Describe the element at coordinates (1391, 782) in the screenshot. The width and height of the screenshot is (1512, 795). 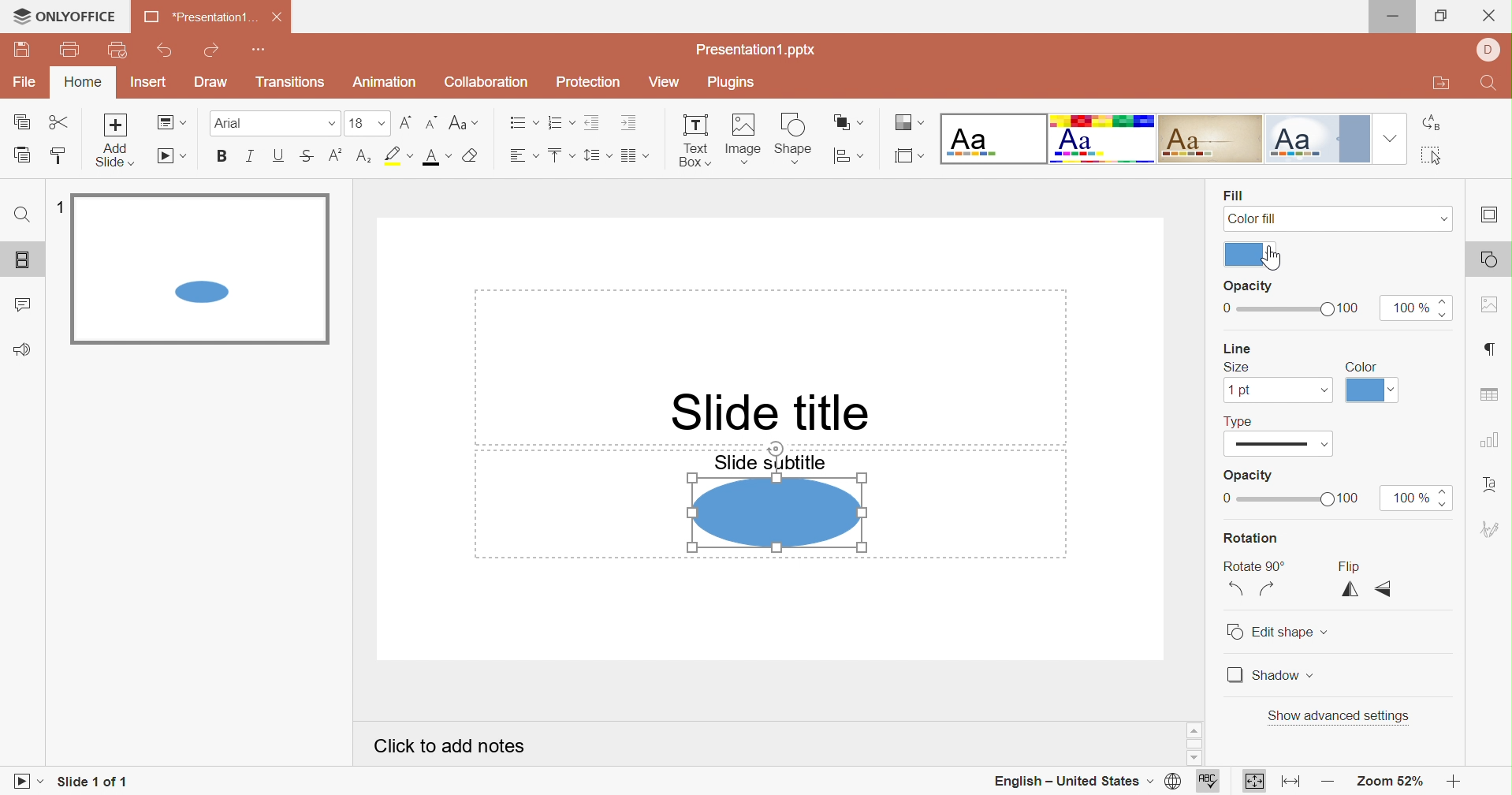
I see `Zoom 52%` at that location.